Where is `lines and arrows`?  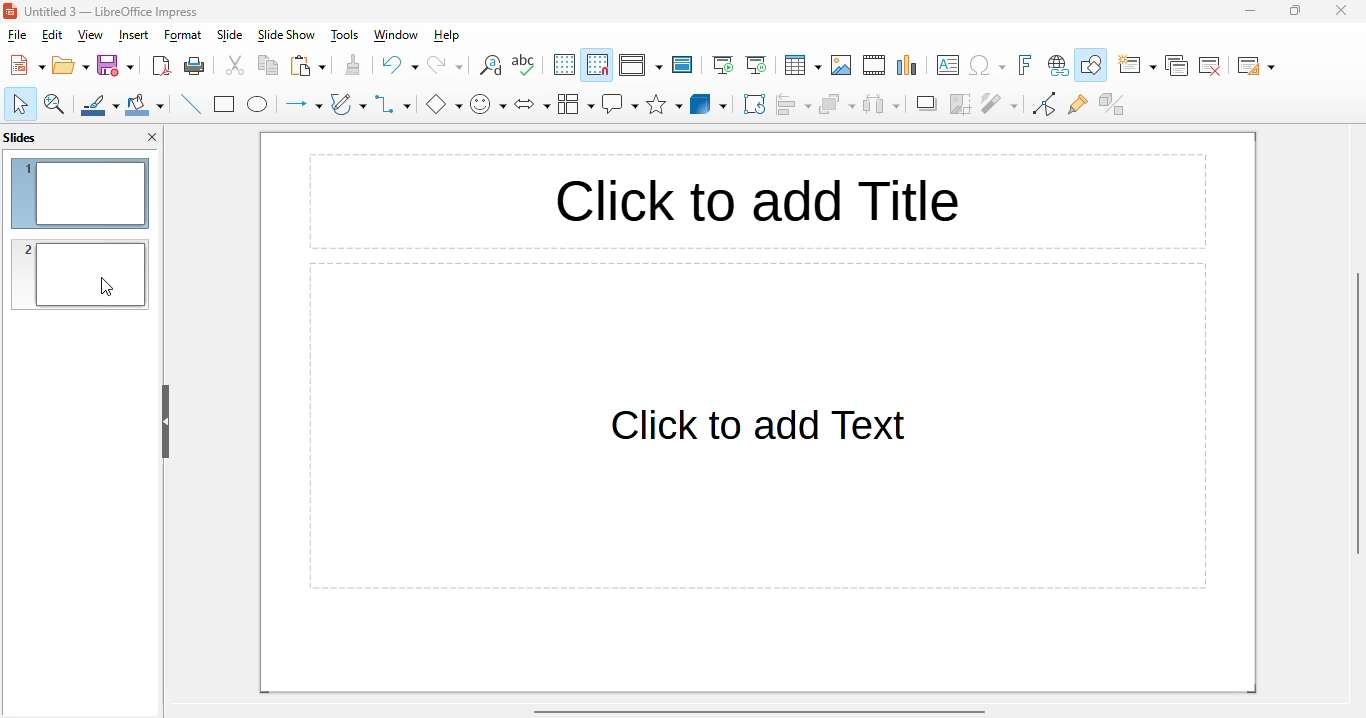 lines and arrows is located at coordinates (303, 105).